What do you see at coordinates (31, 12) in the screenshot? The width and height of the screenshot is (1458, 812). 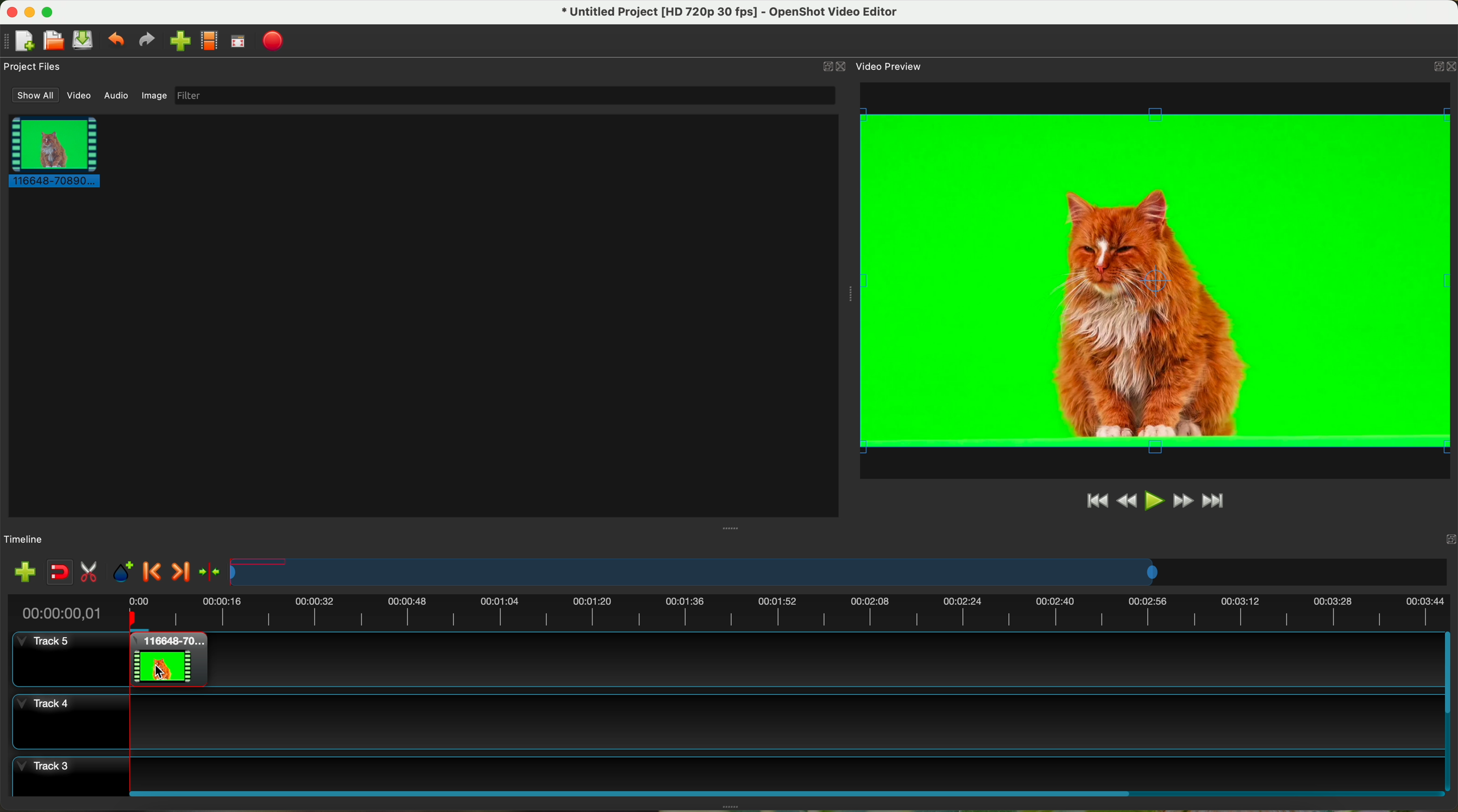 I see `minimize program` at bounding box center [31, 12].